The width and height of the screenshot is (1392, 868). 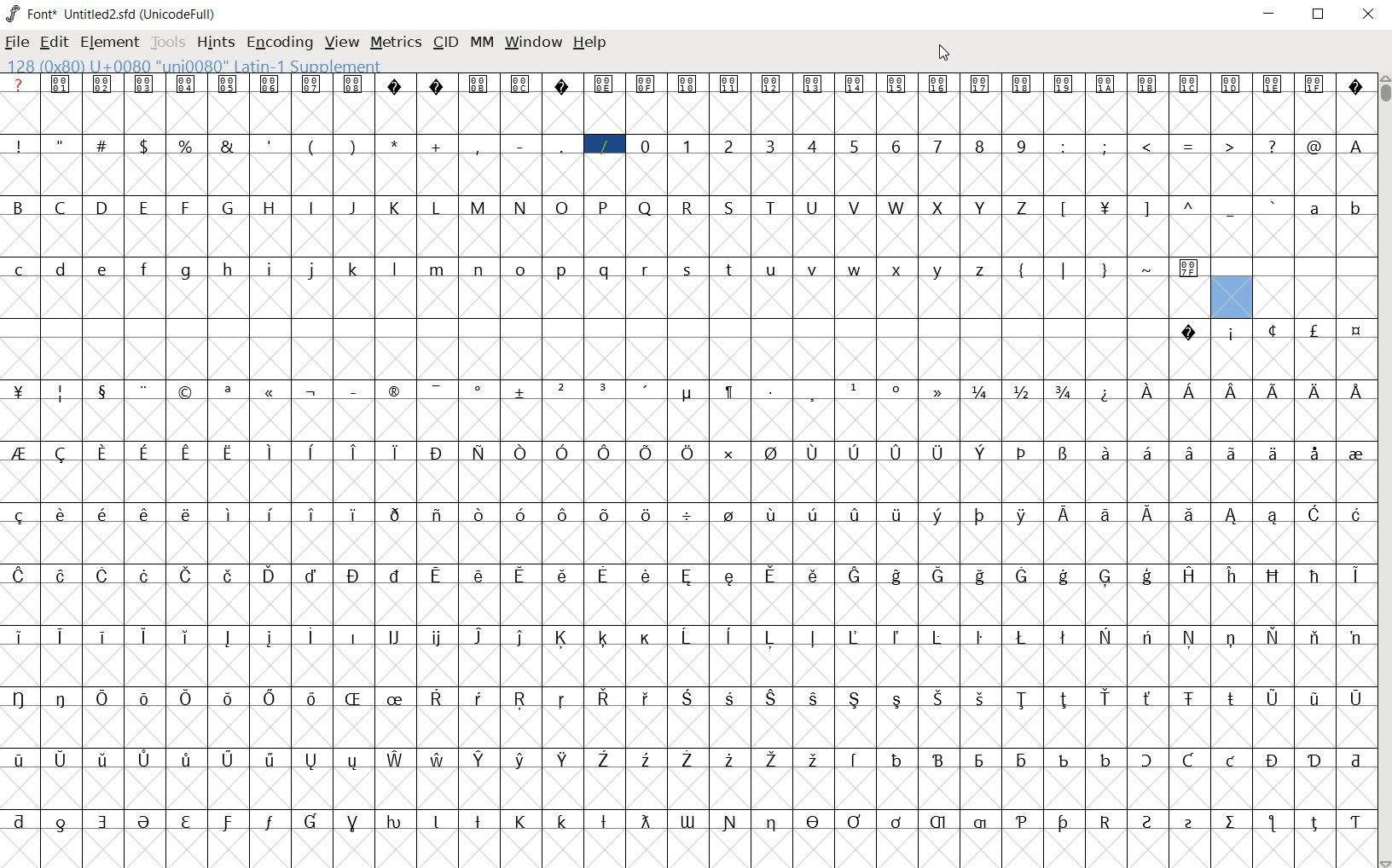 I want to click on glyph, so click(x=1105, y=209).